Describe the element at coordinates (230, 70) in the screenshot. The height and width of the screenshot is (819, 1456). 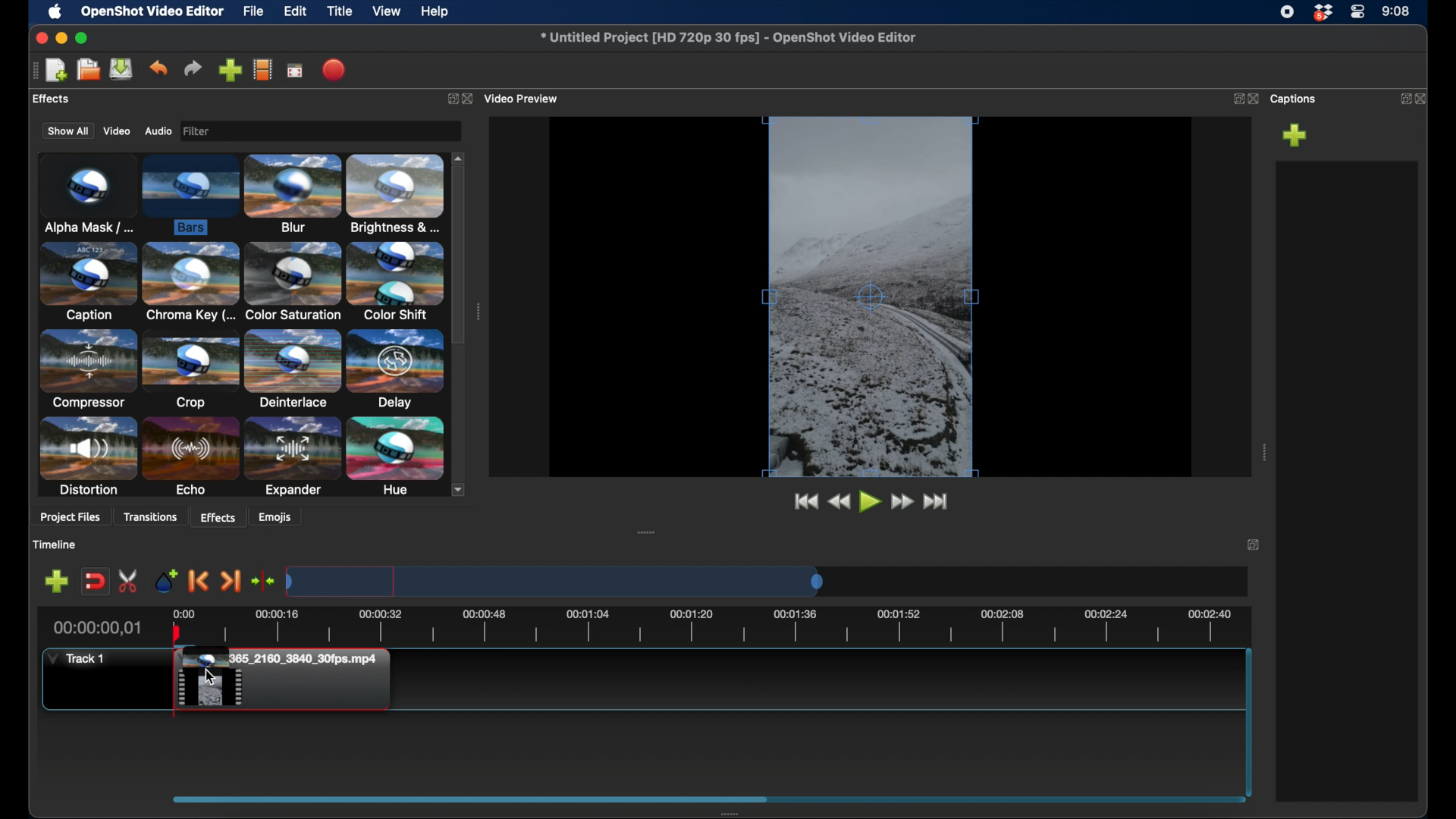
I see `import files` at that location.